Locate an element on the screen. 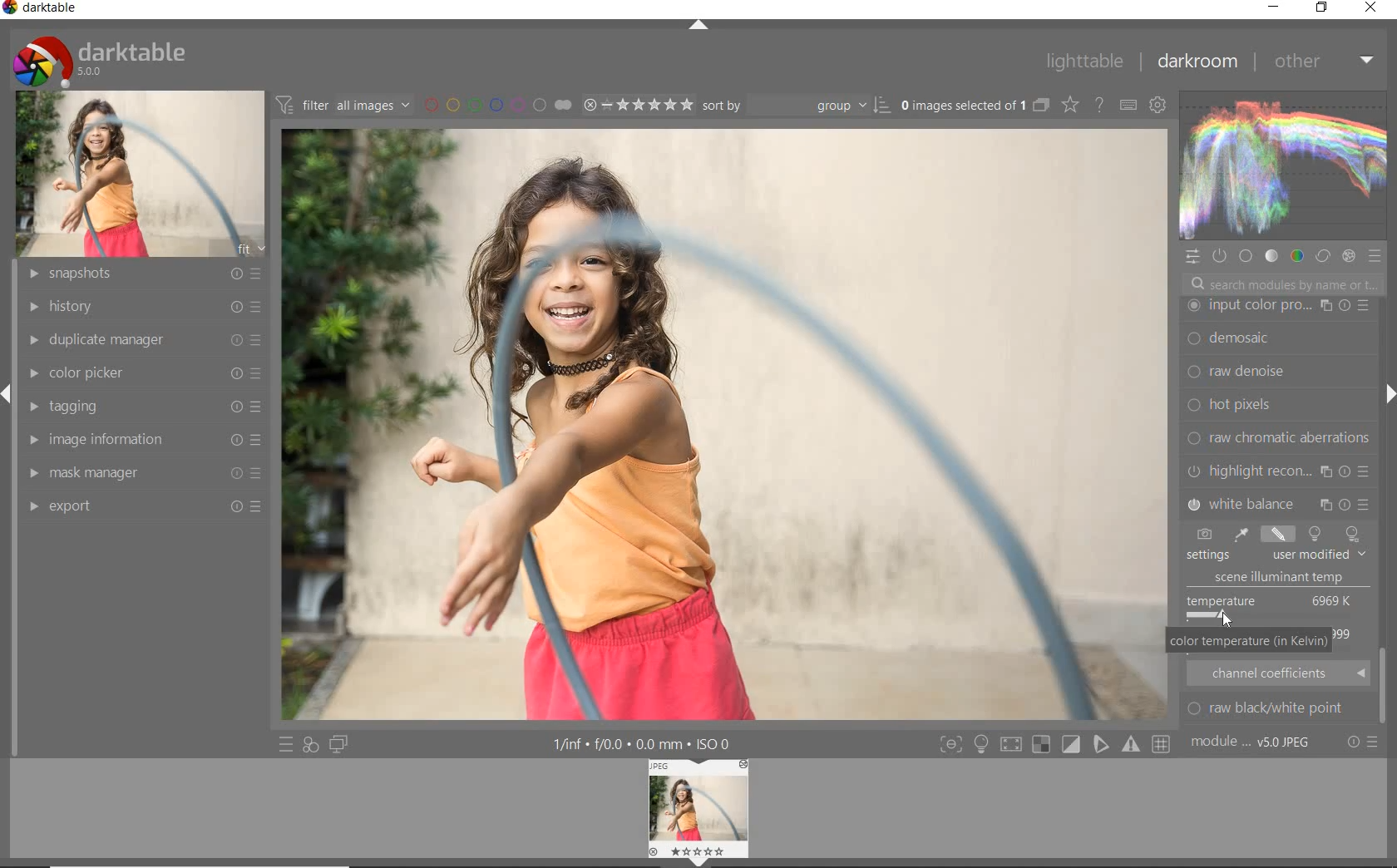 Image resolution: width=1397 pixels, height=868 pixels. show only active module is located at coordinates (1221, 257).